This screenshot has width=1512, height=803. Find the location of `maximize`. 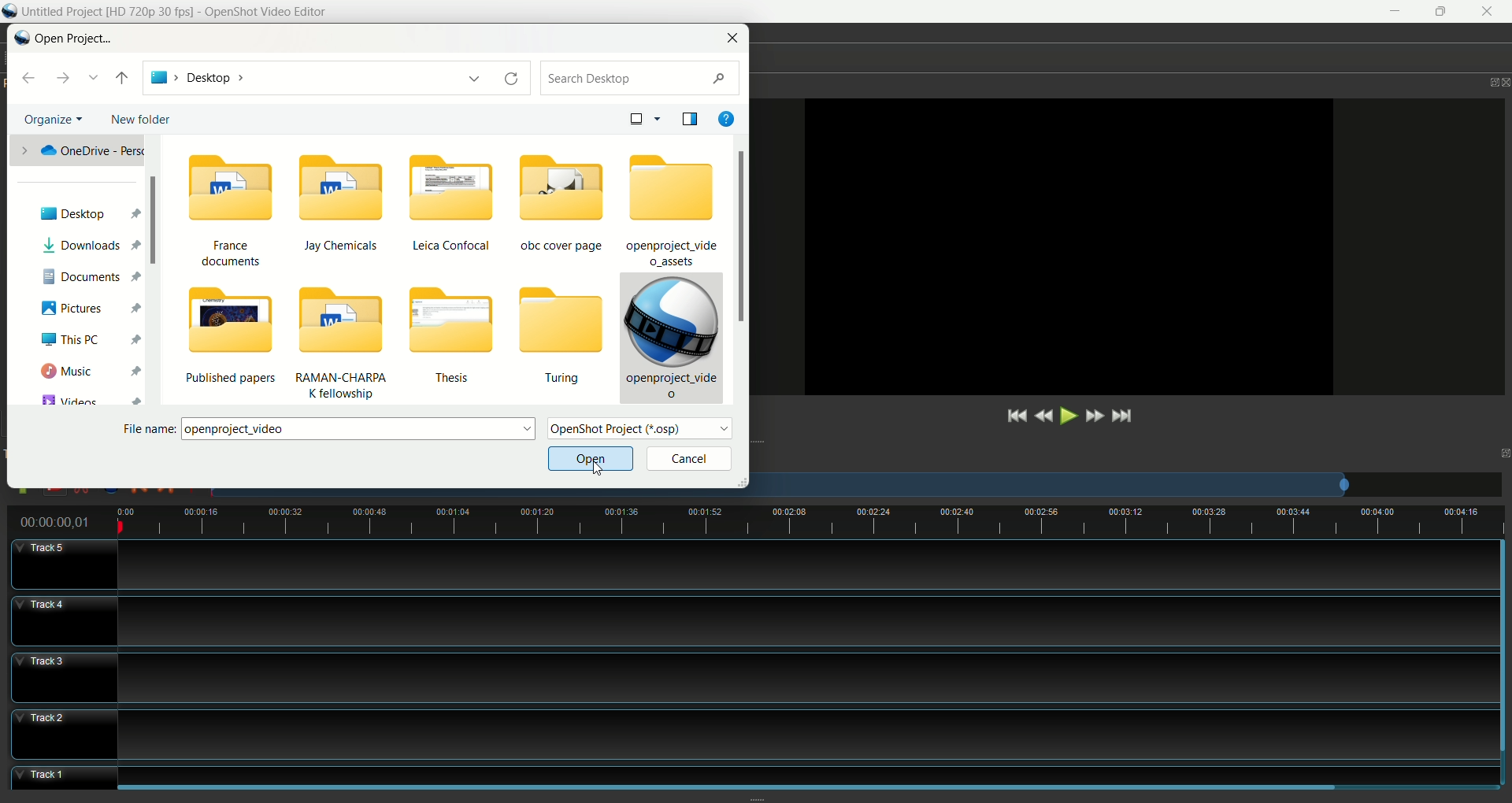

maximize is located at coordinates (1443, 12).